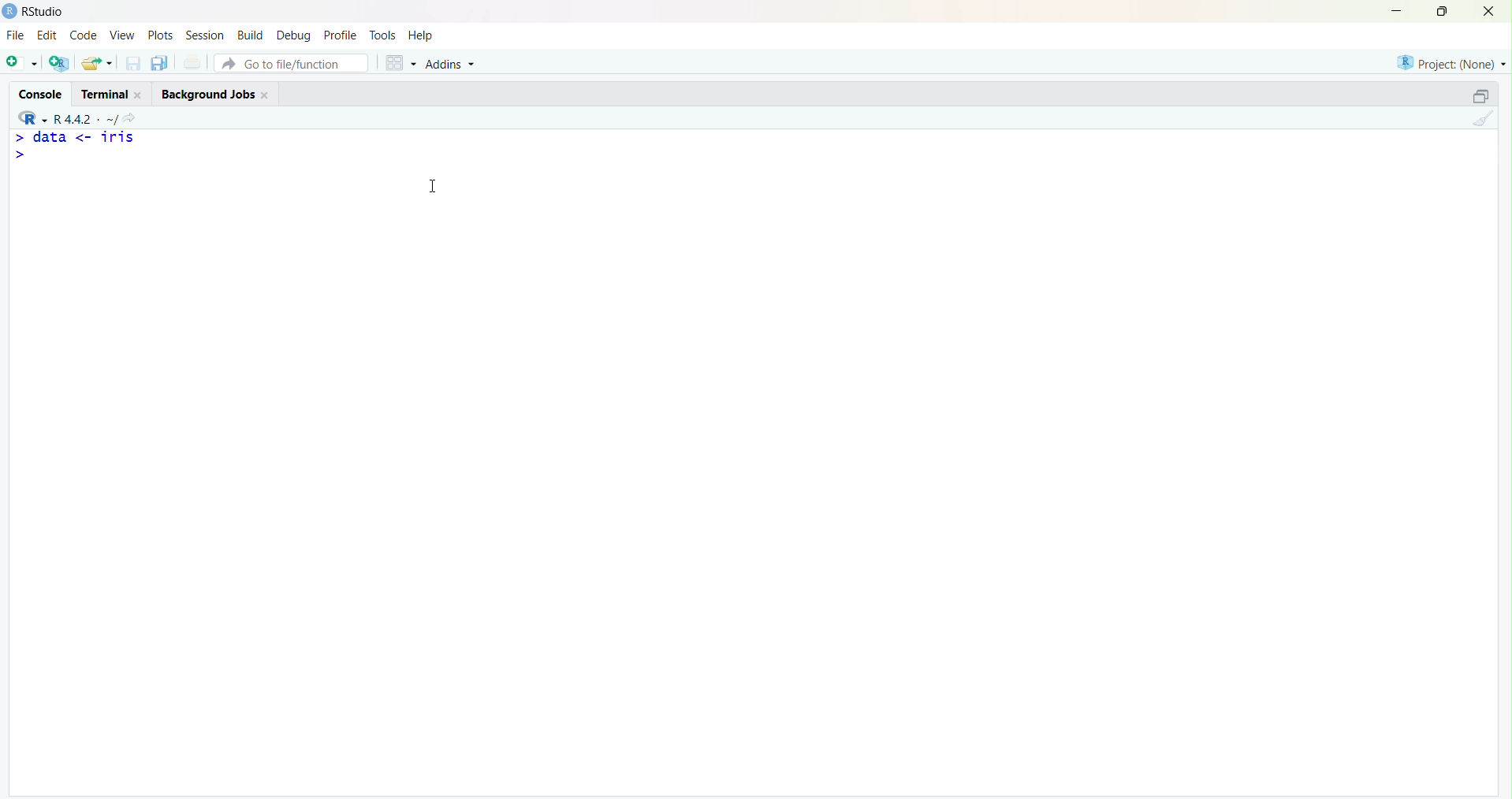 The width and height of the screenshot is (1512, 799). I want to click on Build, so click(252, 34).